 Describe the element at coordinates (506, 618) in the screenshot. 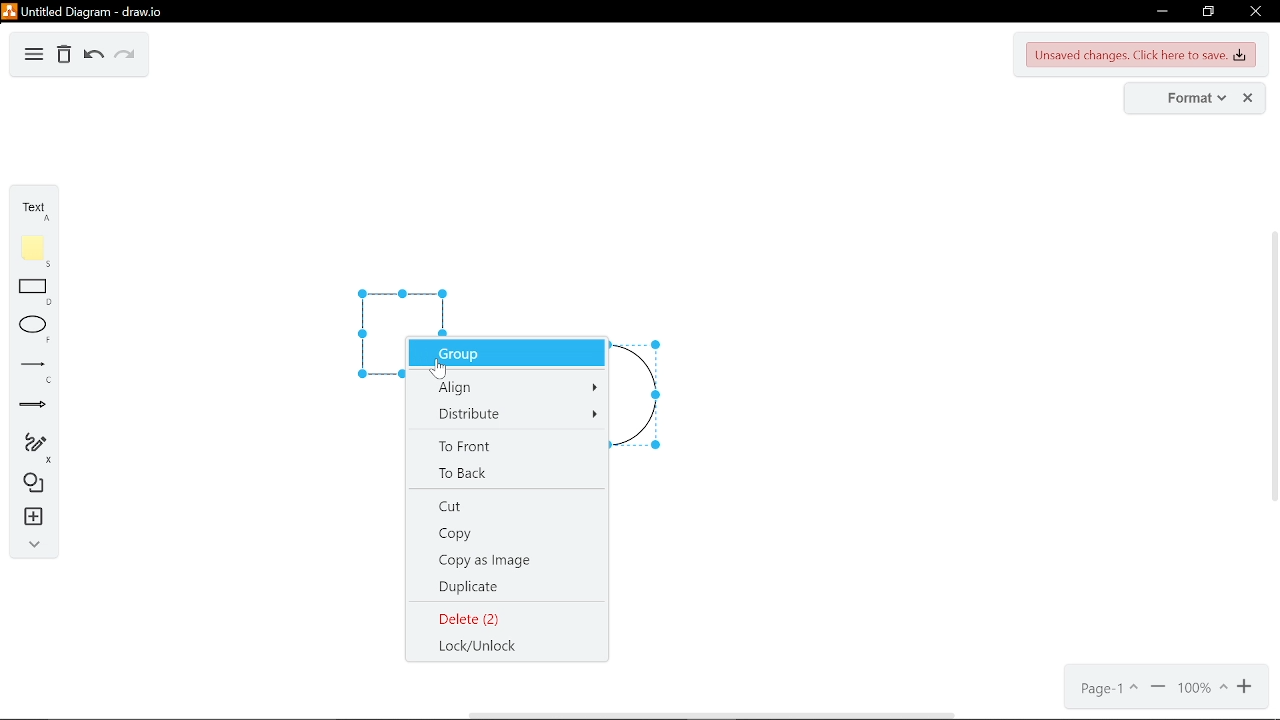

I see `Delete` at that location.